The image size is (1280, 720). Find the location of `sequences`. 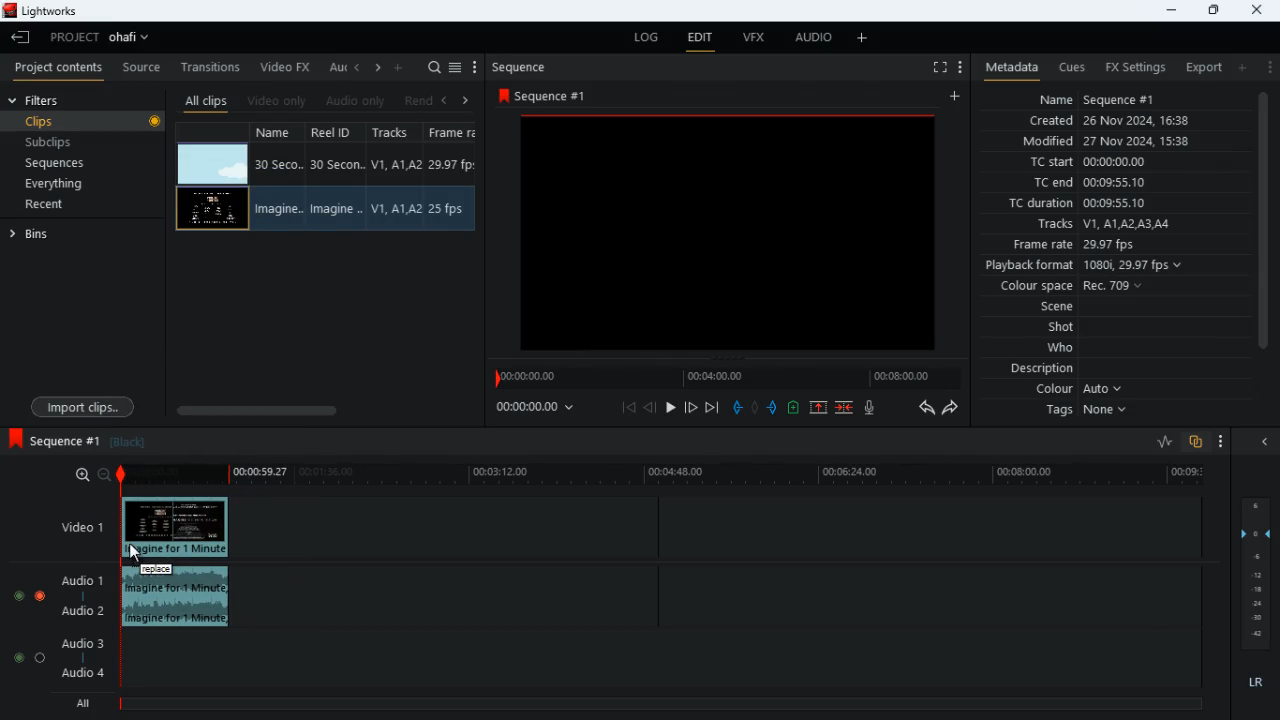

sequences is located at coordinates (62, 164).